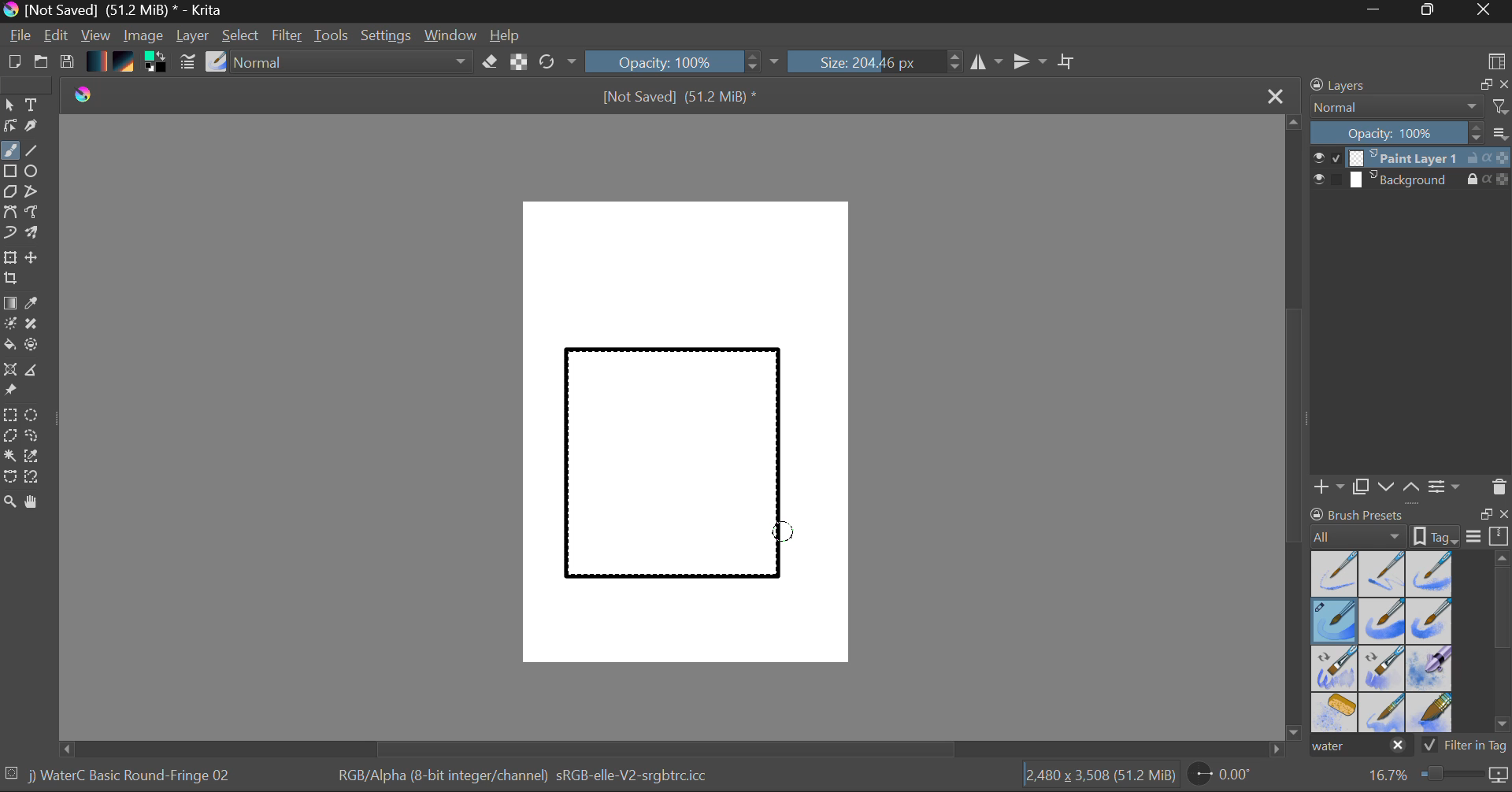 The width and height of the screenshot is (1512, 792). I want to click on Layers Docket Tab, so click(1407, 83).